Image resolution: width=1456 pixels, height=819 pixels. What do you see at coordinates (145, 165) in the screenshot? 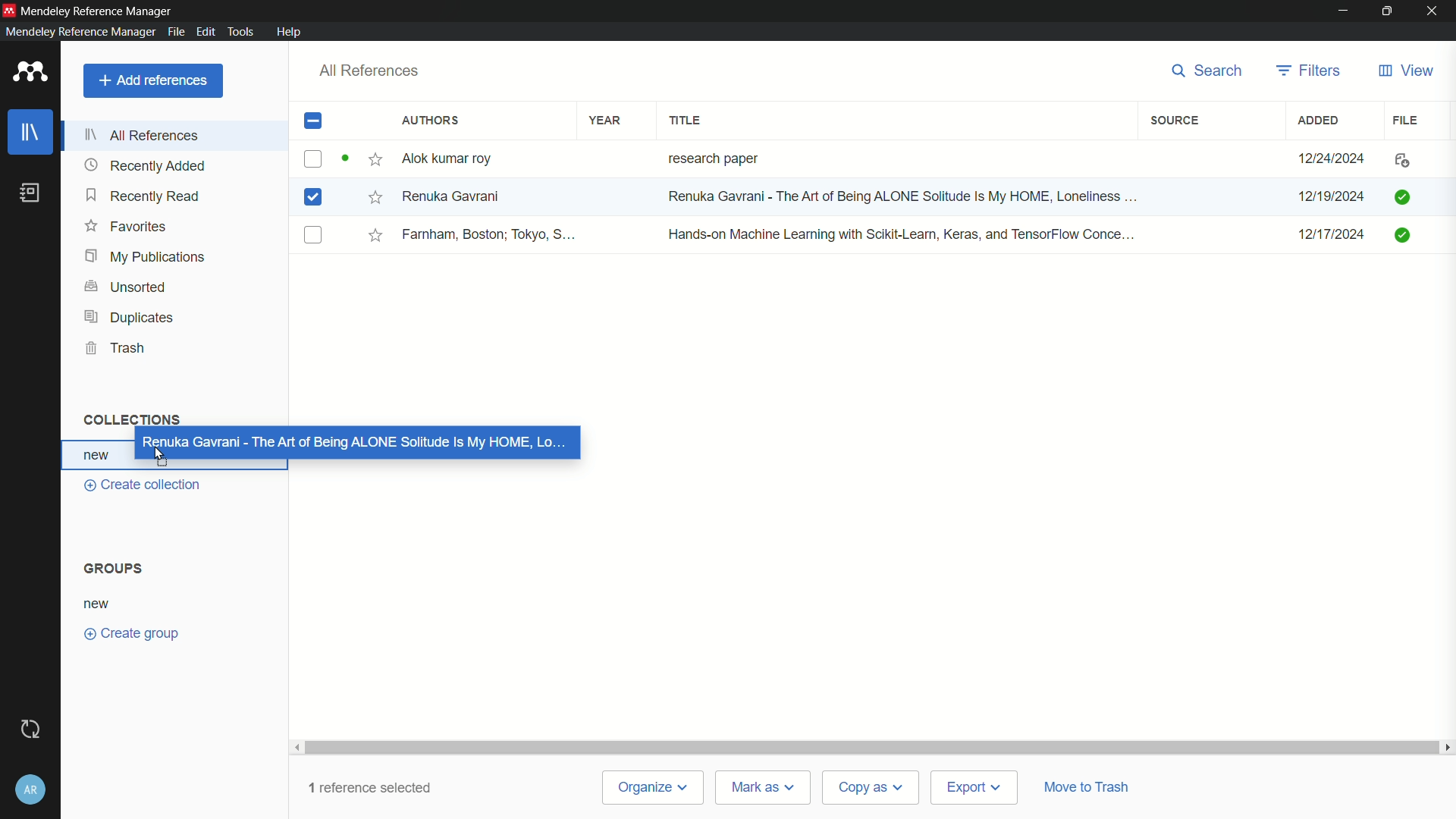
I see `recently added` at bounding box center [145, 165].